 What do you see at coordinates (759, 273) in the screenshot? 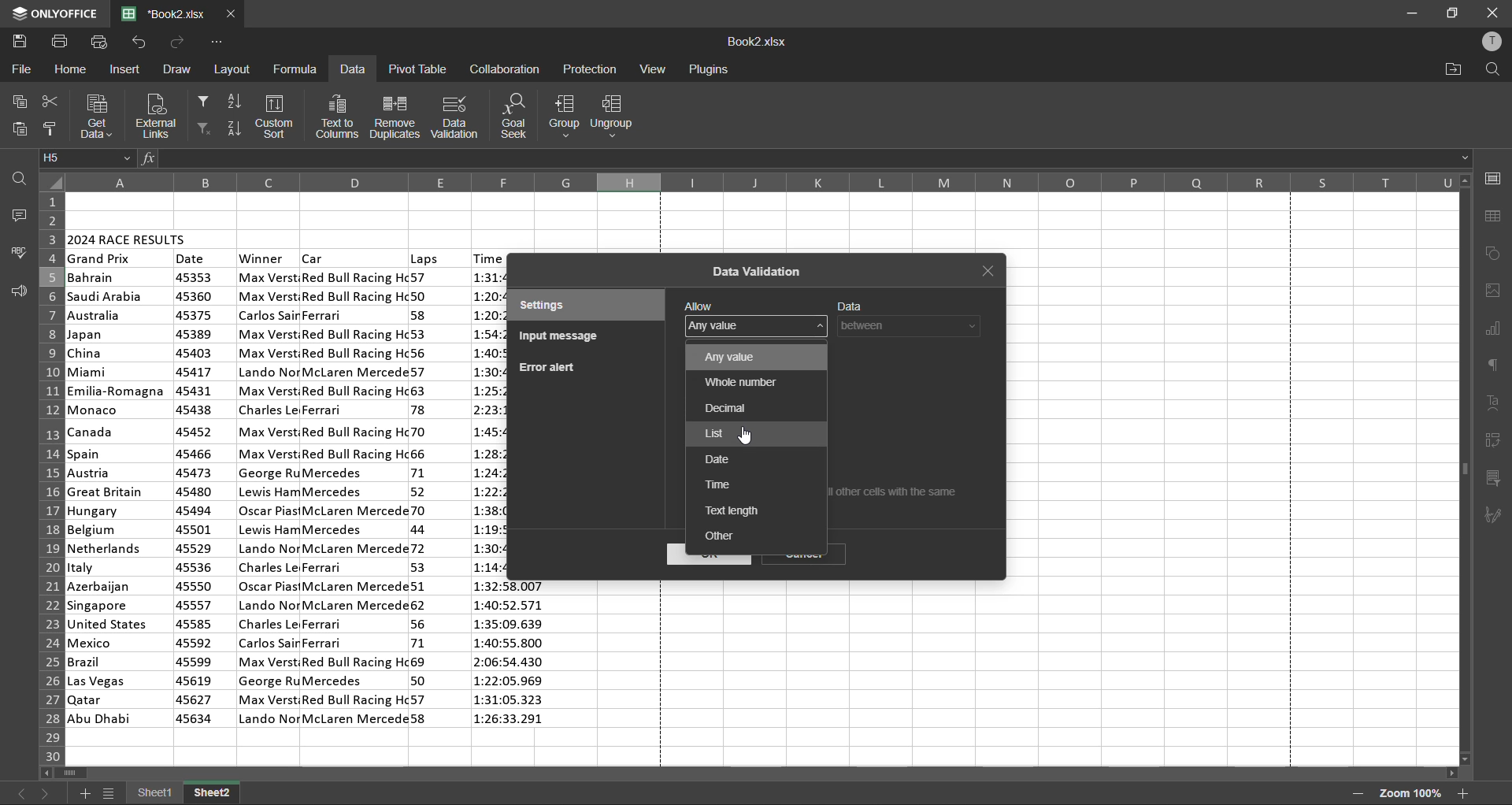
I see `data validation` at bounding box center [759, 273].